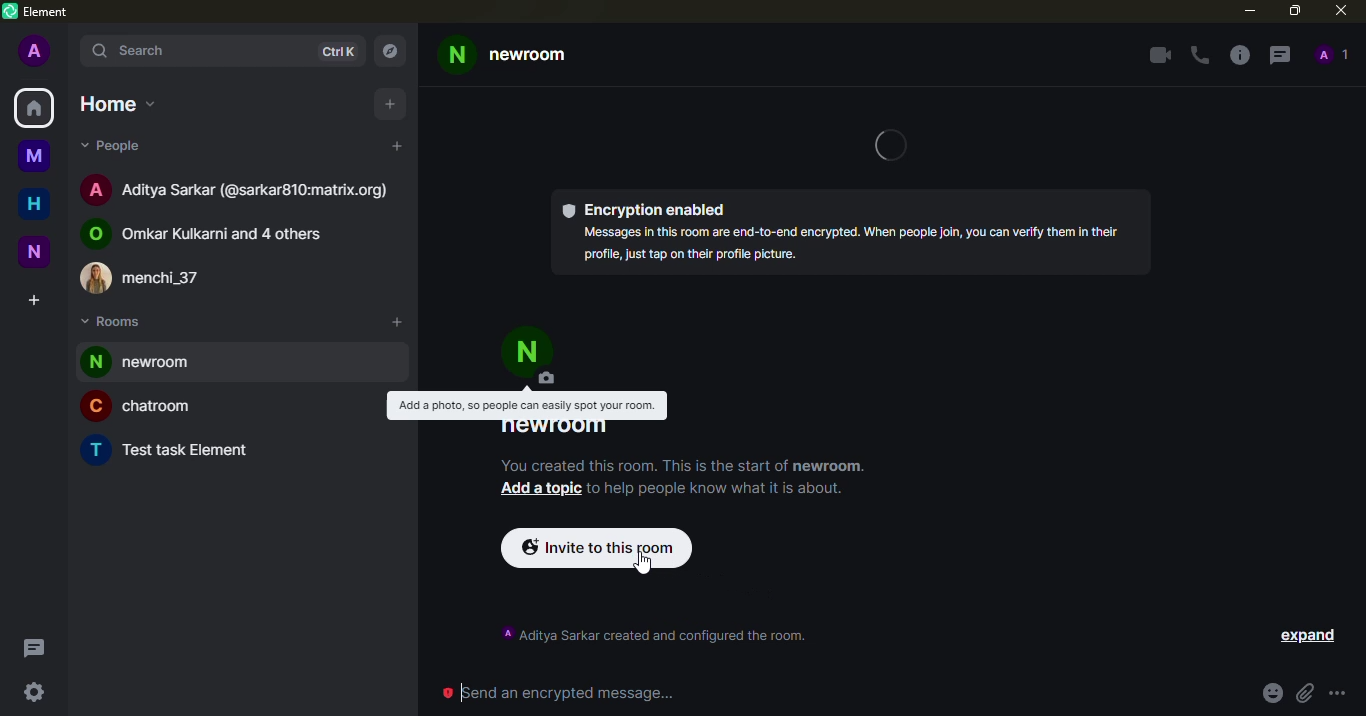  I want to click on ctrlK, so click(337, 52).